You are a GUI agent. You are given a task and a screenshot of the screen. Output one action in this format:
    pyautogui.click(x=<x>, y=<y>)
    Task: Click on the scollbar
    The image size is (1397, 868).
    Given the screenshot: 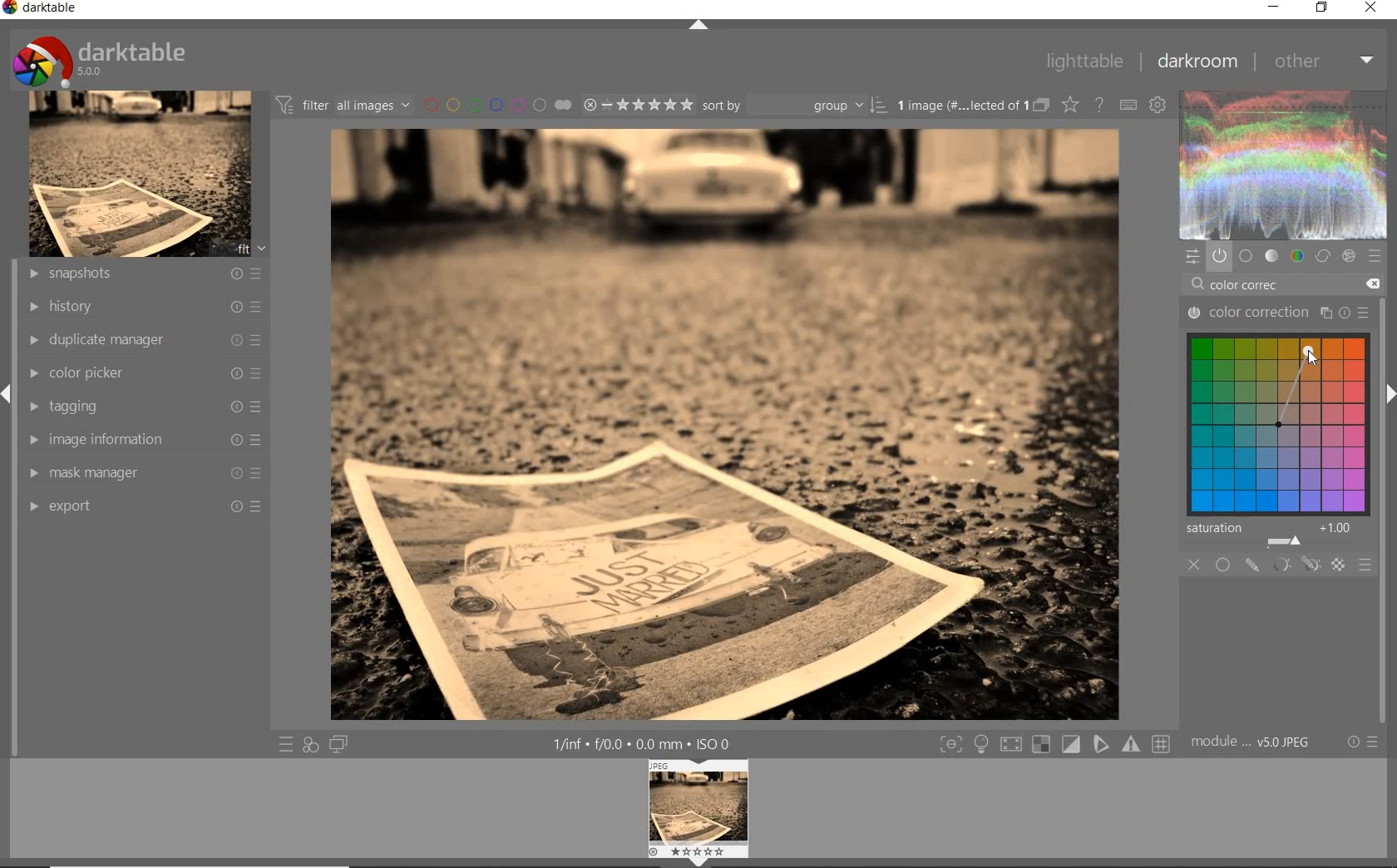 What is the action you would take?
    pyautogui.click(x=1386, y=333)
    